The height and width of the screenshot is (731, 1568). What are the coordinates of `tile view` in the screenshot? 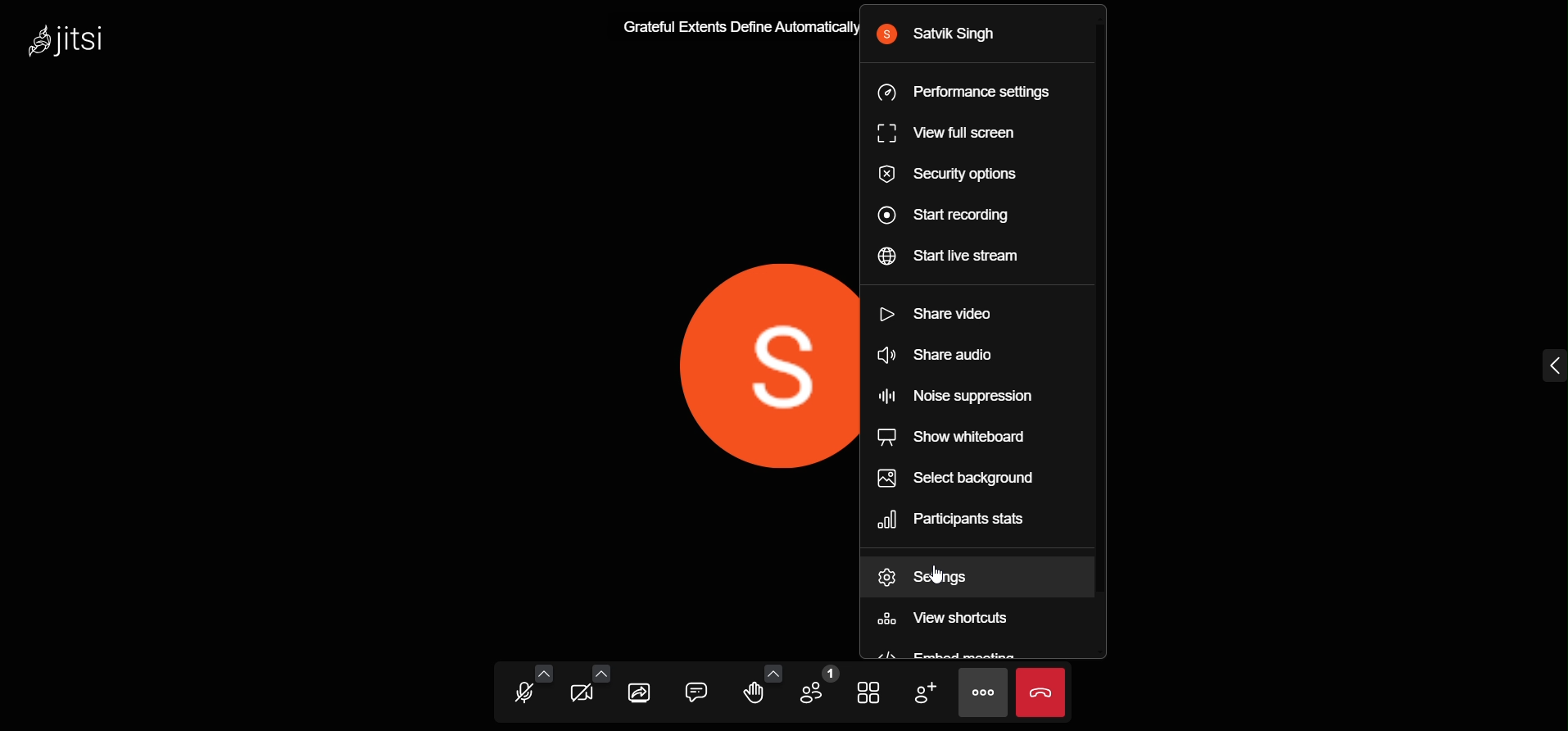 It's located at (866, 693).